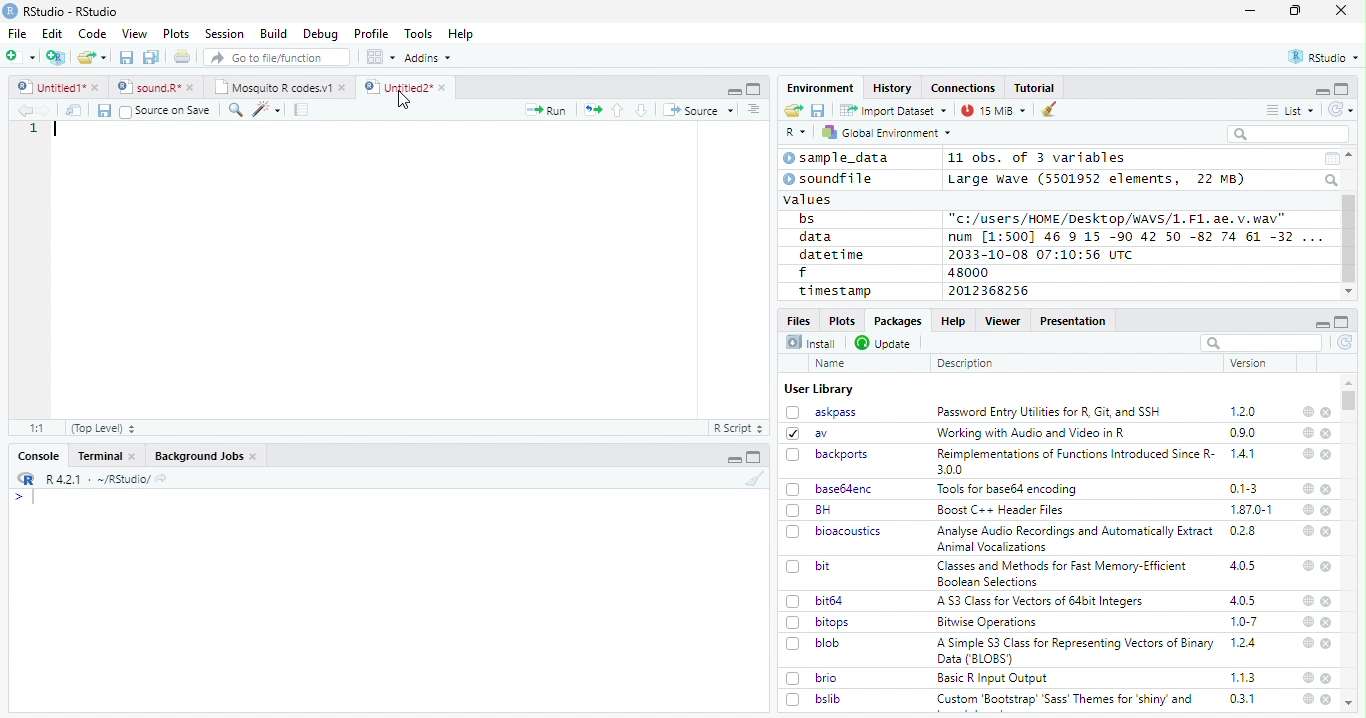 The image size is (1366, 718). I want to click on Install, so click(811, 342).